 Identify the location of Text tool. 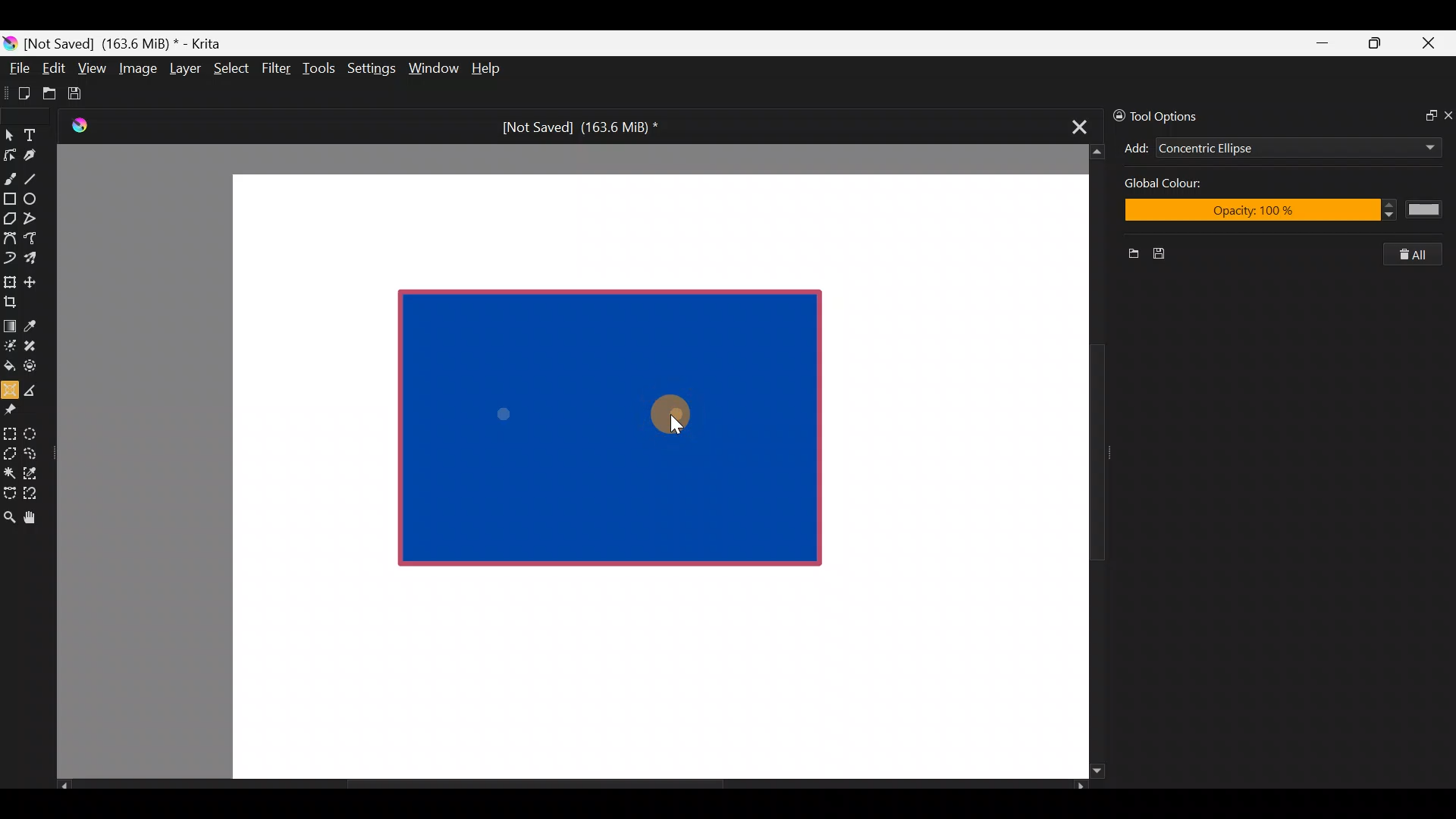
(38, 134).